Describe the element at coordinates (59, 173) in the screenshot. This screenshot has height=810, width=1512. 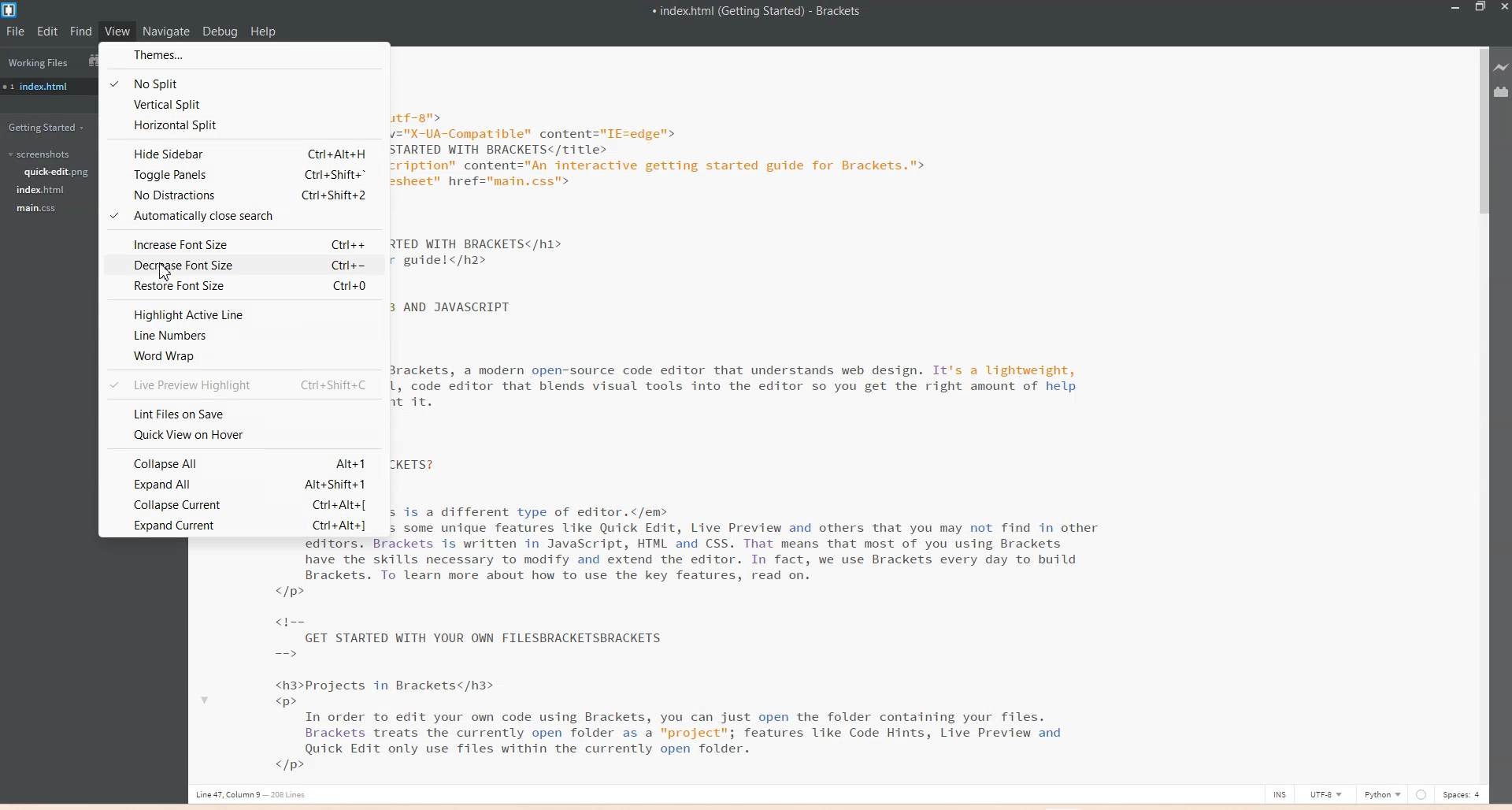
I see `Quick-edit.png` at that location.